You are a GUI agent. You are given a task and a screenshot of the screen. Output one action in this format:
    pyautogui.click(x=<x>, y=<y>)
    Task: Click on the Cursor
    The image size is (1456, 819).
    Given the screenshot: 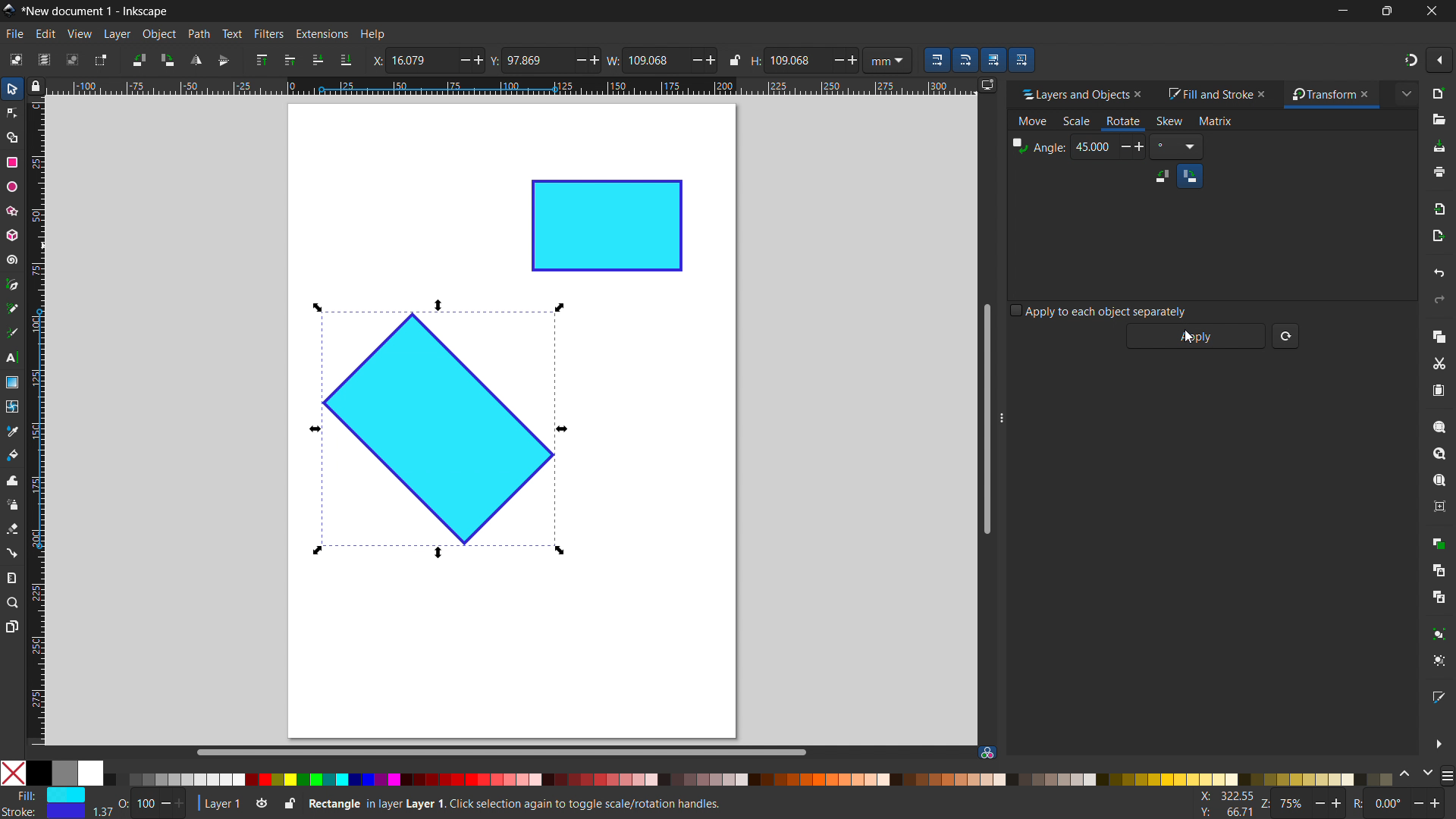 What is the action you would take?
    pyautogui.click(x=1187, y=339)
    